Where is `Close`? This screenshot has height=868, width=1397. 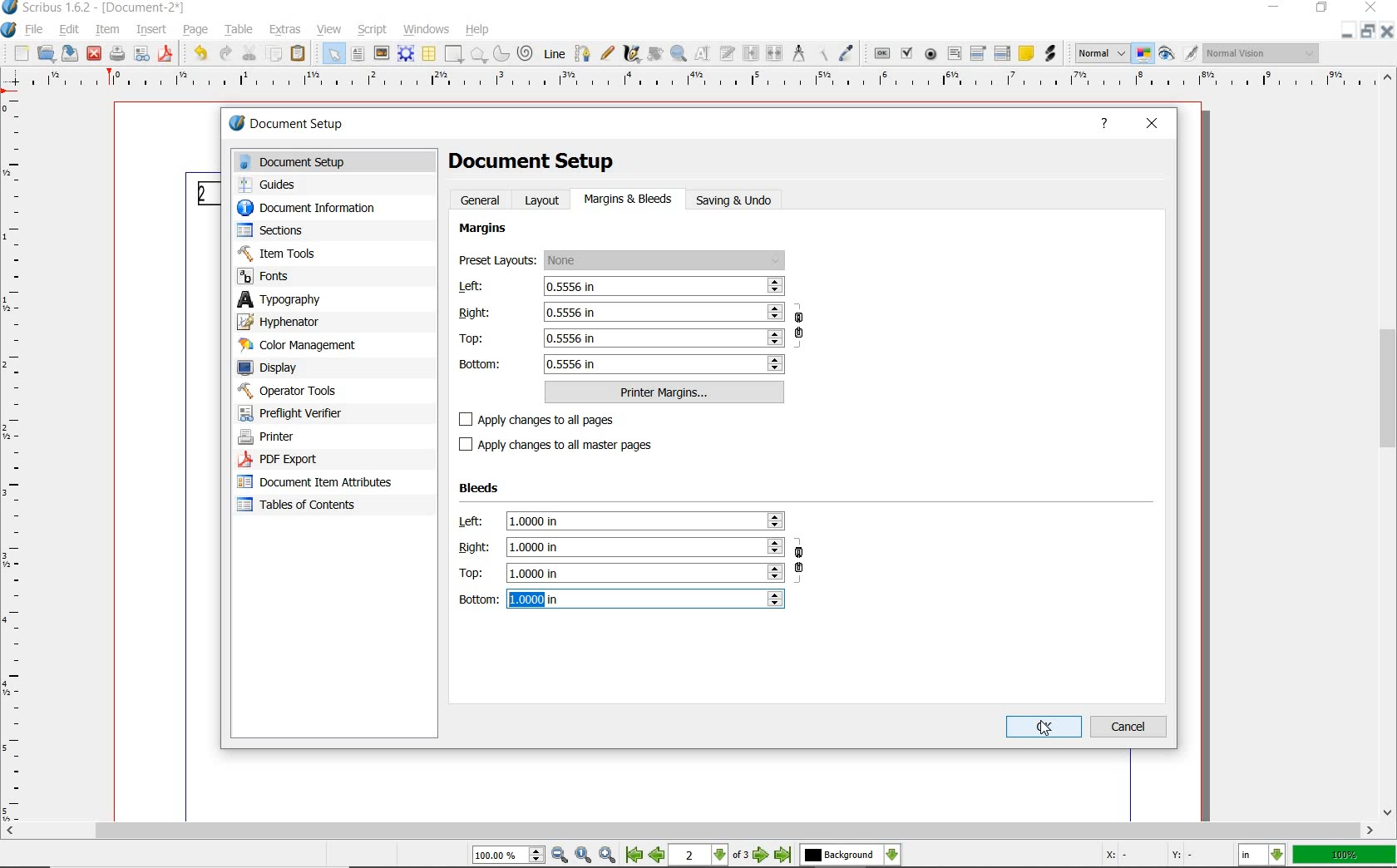
Close is located at coordinates (1346, 31).